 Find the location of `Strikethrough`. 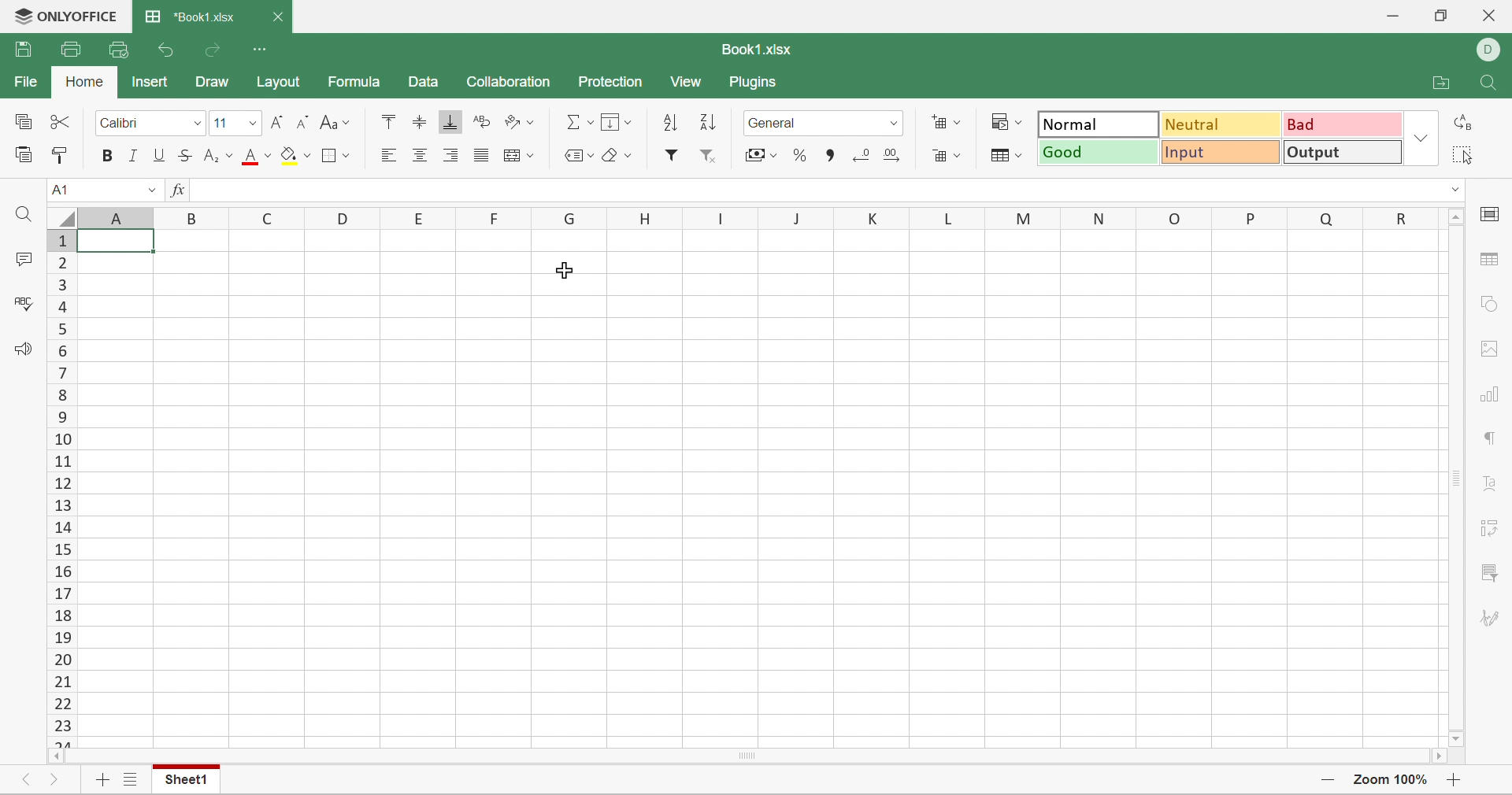

Strikethrough is located at coordinates (185, 156).